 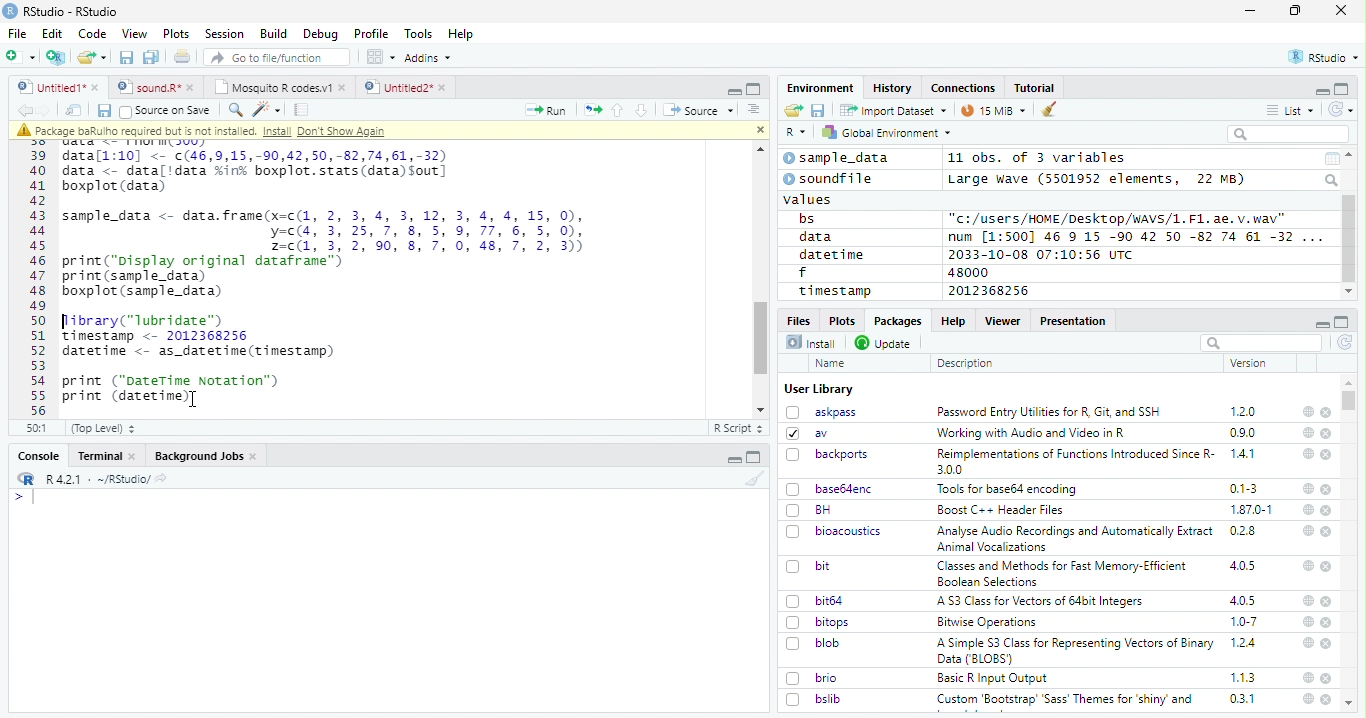 What do you see at coordinates (24, 497) in the screenshot?
I see `typing cursor` at bounding box center [24, 497].